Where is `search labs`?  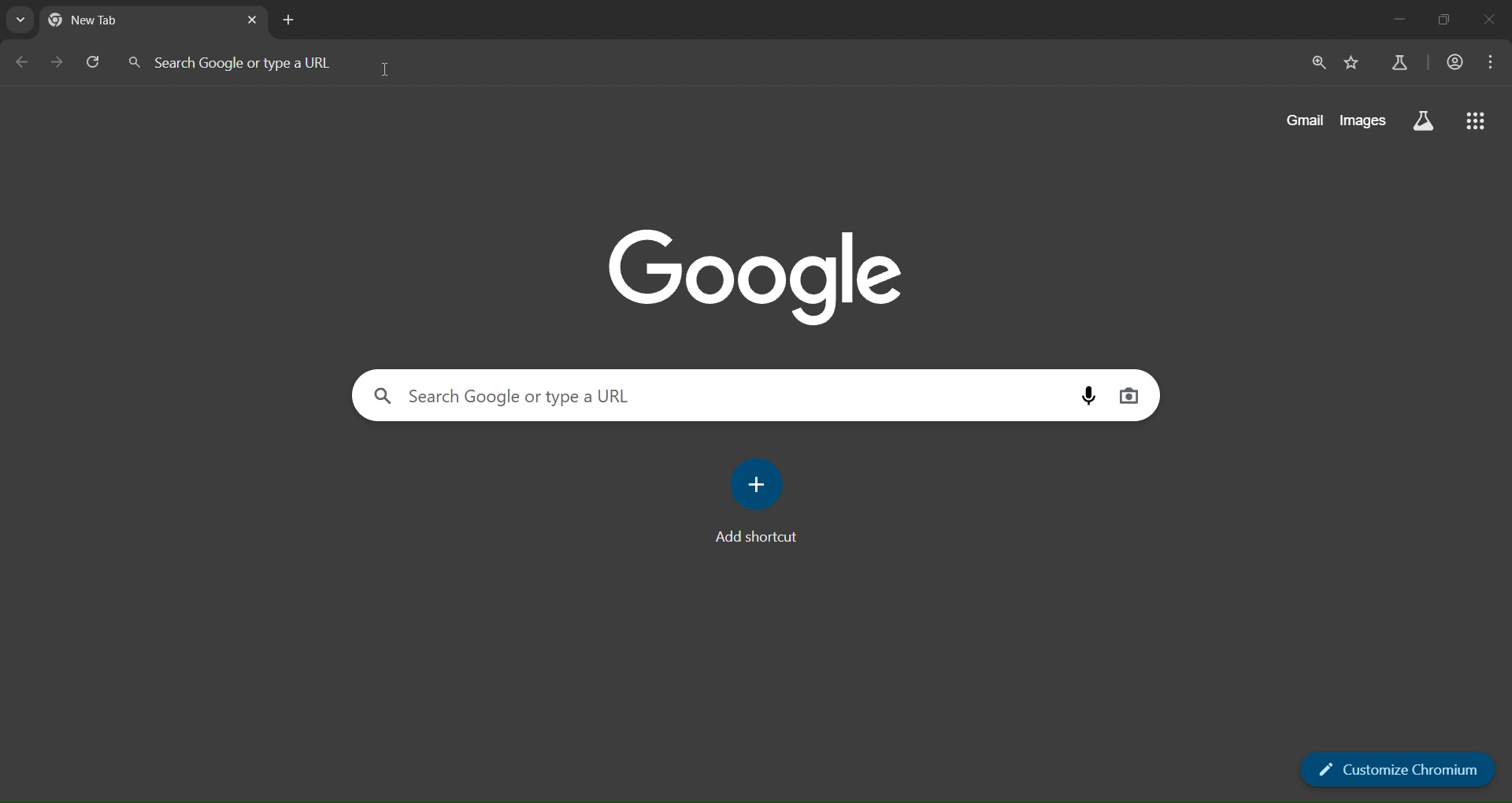 search labs is located at coordinates (1398, 63).